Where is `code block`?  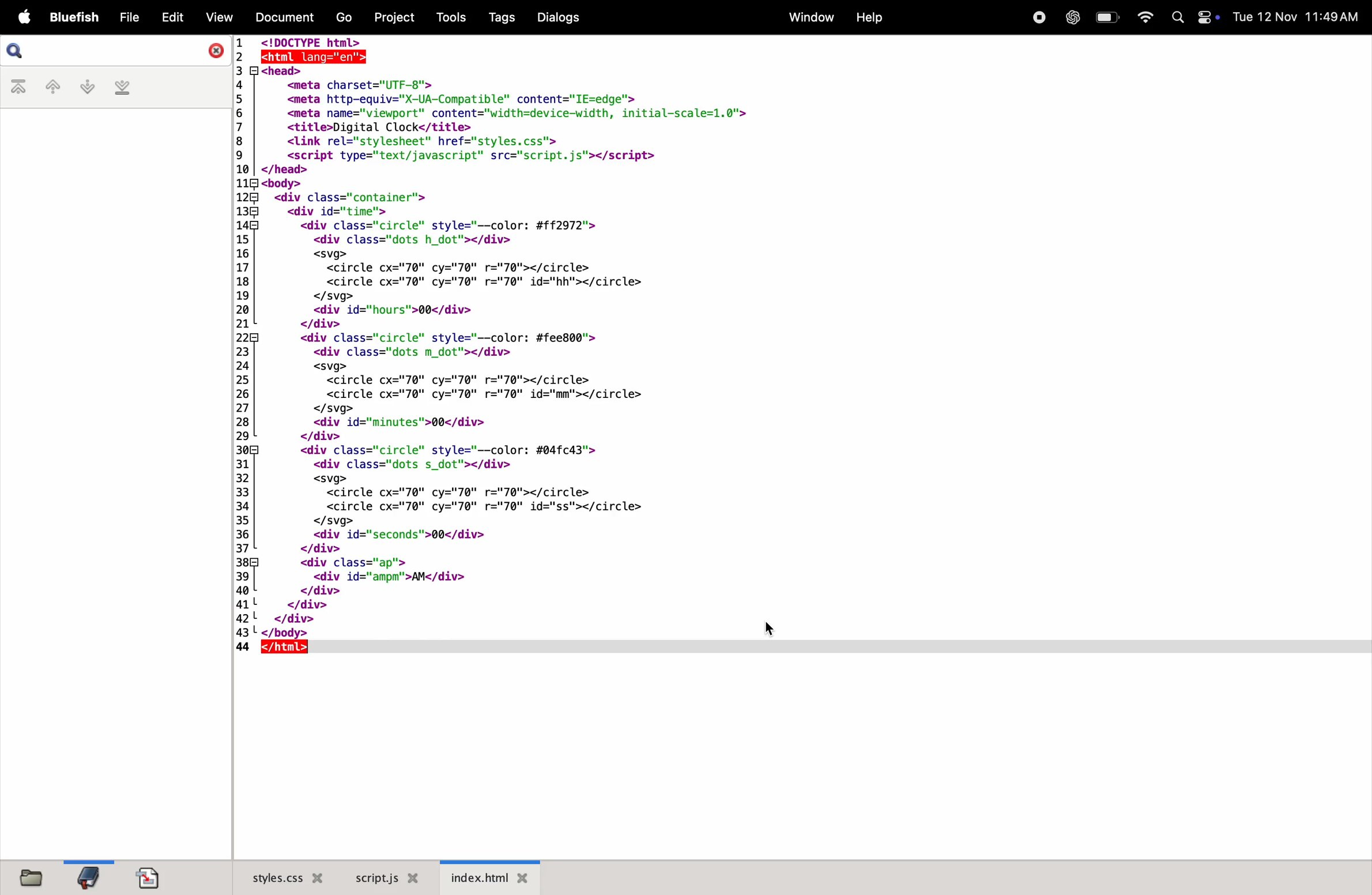 code block is located at coordinates (490, 345).